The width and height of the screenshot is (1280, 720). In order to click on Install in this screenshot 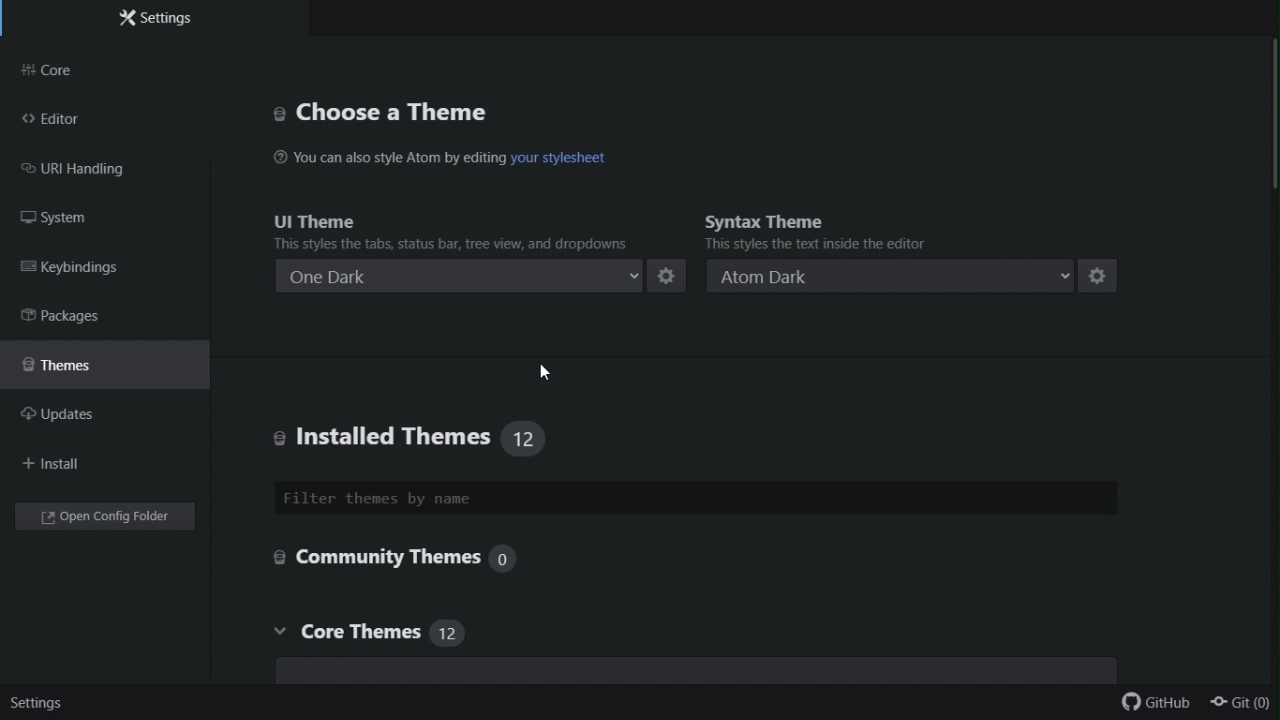, I will do `click(68, 463)`.